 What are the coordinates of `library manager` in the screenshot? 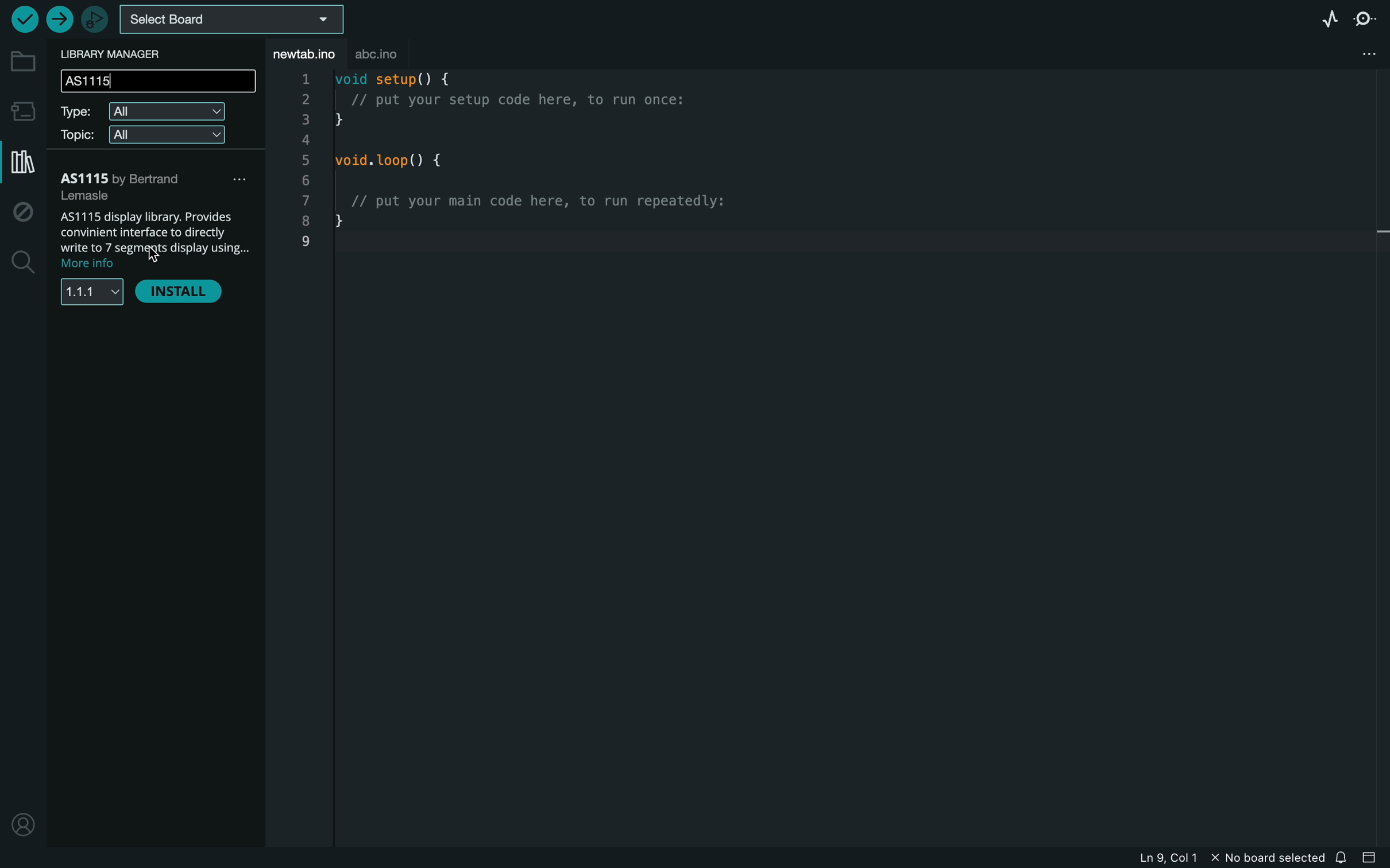 It's located at (120, 54).